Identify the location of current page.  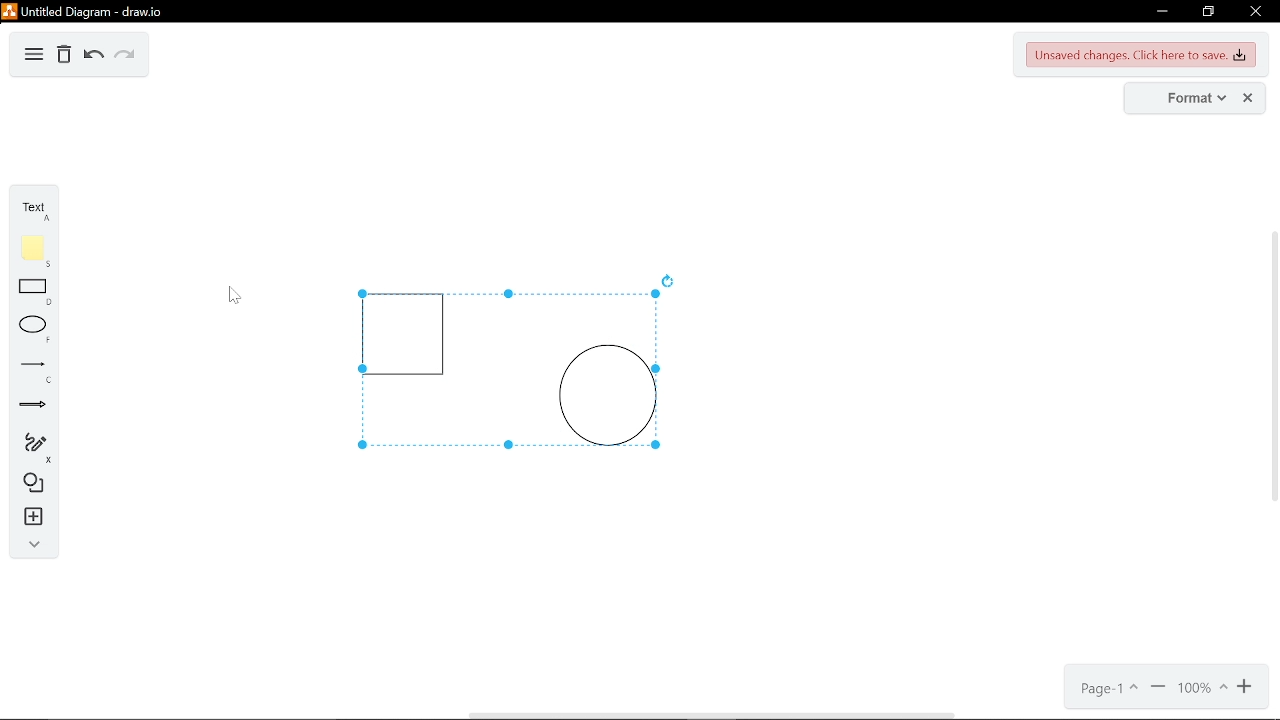
(1104, 691).